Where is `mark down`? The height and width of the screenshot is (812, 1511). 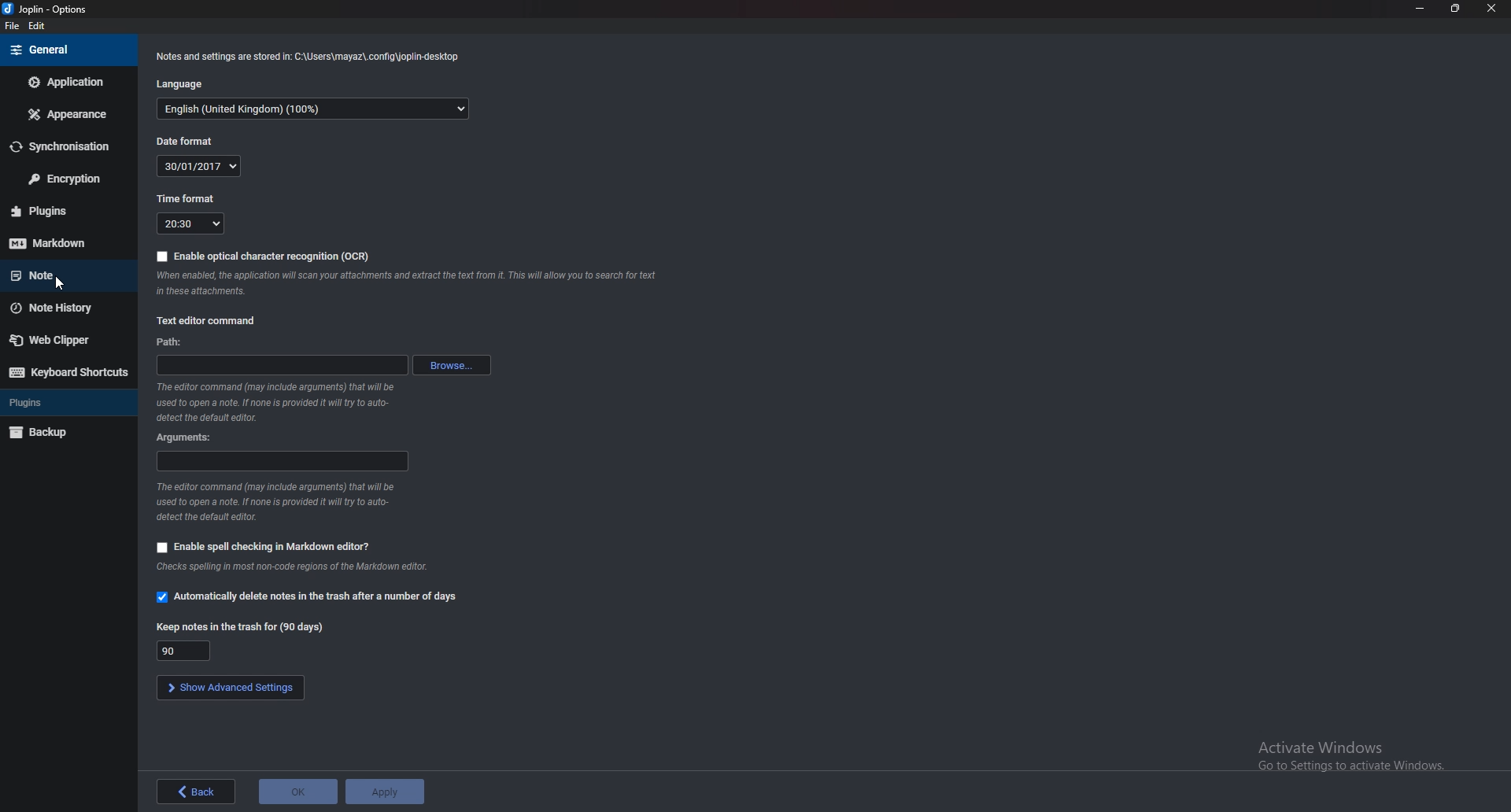 mark down is located at coordinates (57, 243).